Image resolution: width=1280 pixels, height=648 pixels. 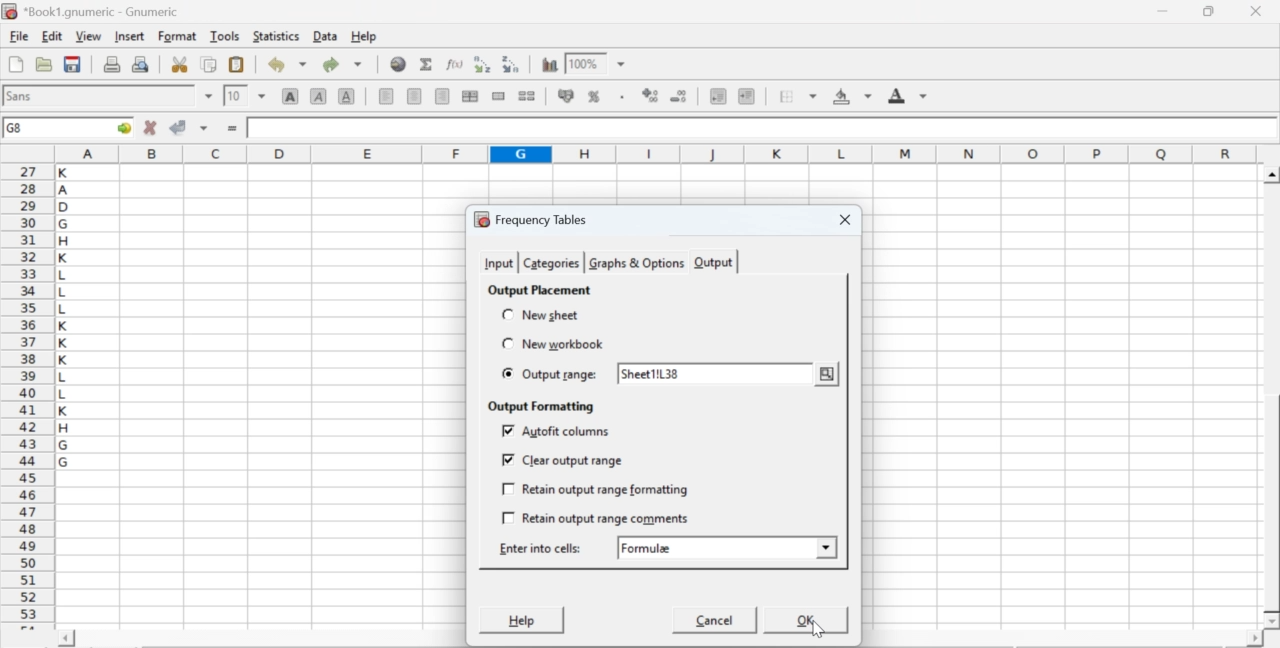 I want to click on print preview, so click(x=141, y=63).